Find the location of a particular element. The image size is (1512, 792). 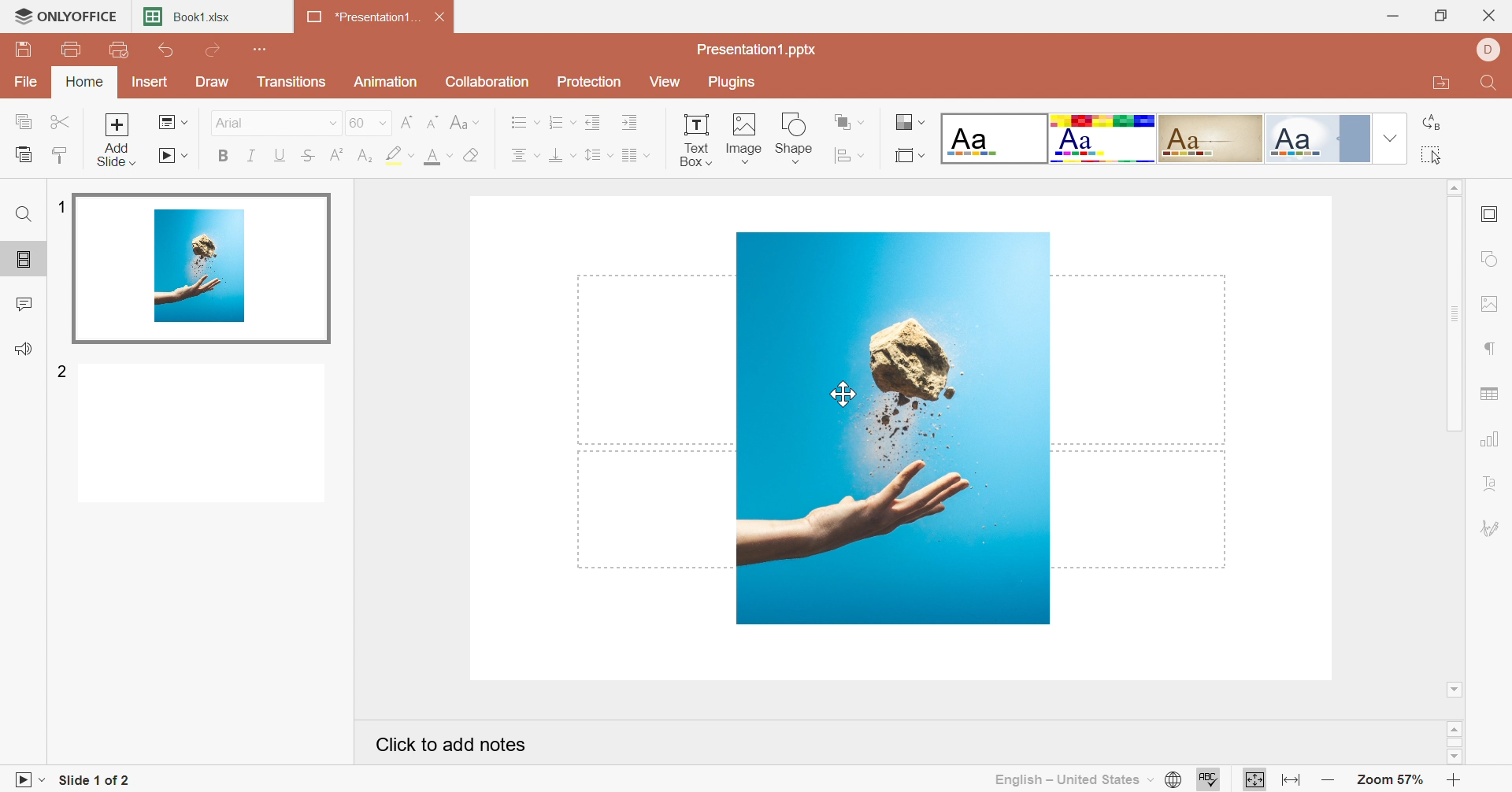

Dell is located at coordinates (1488, 51).